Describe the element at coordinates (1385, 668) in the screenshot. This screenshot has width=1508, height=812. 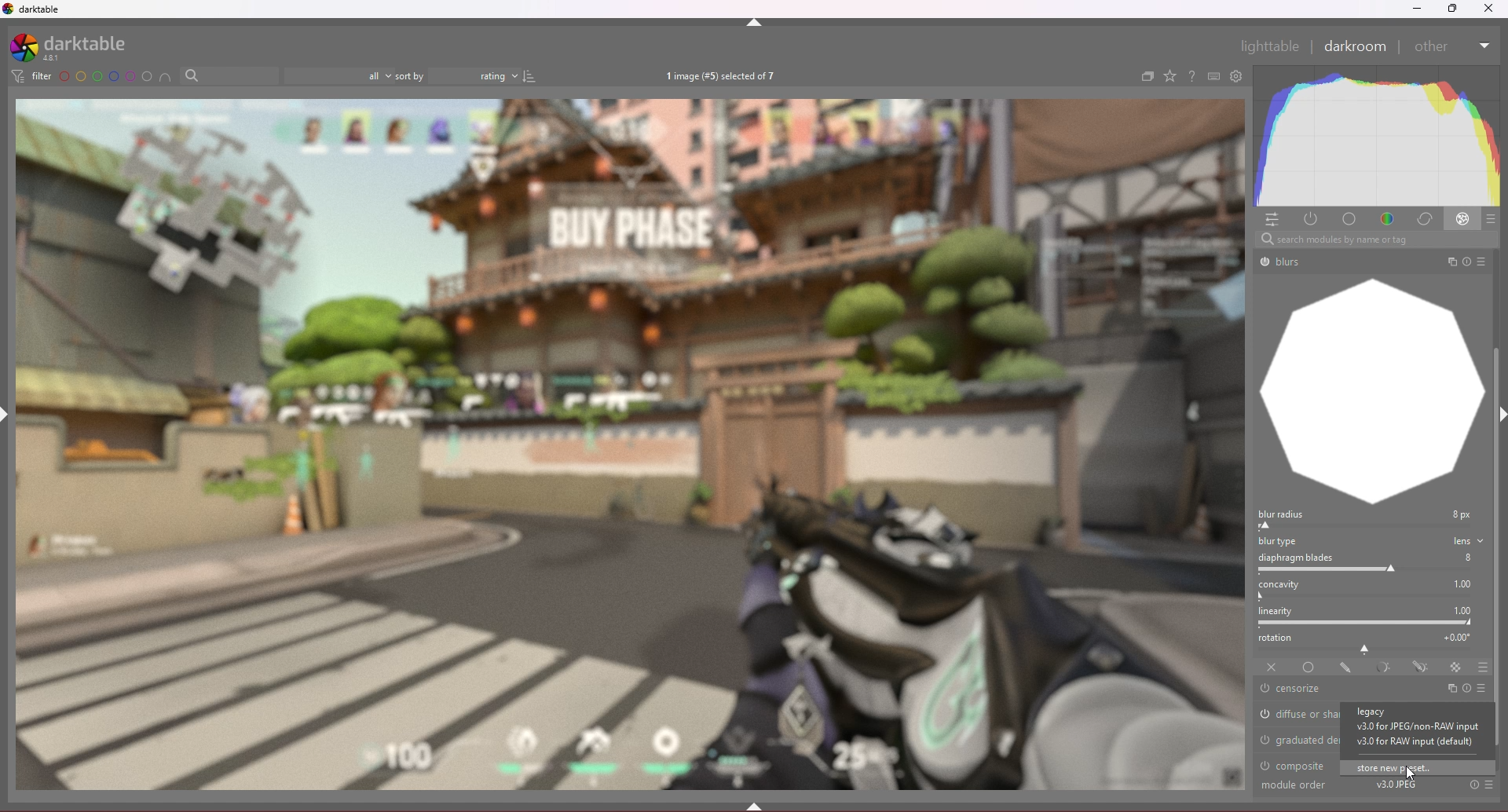
I see `parametric mask` at that location.